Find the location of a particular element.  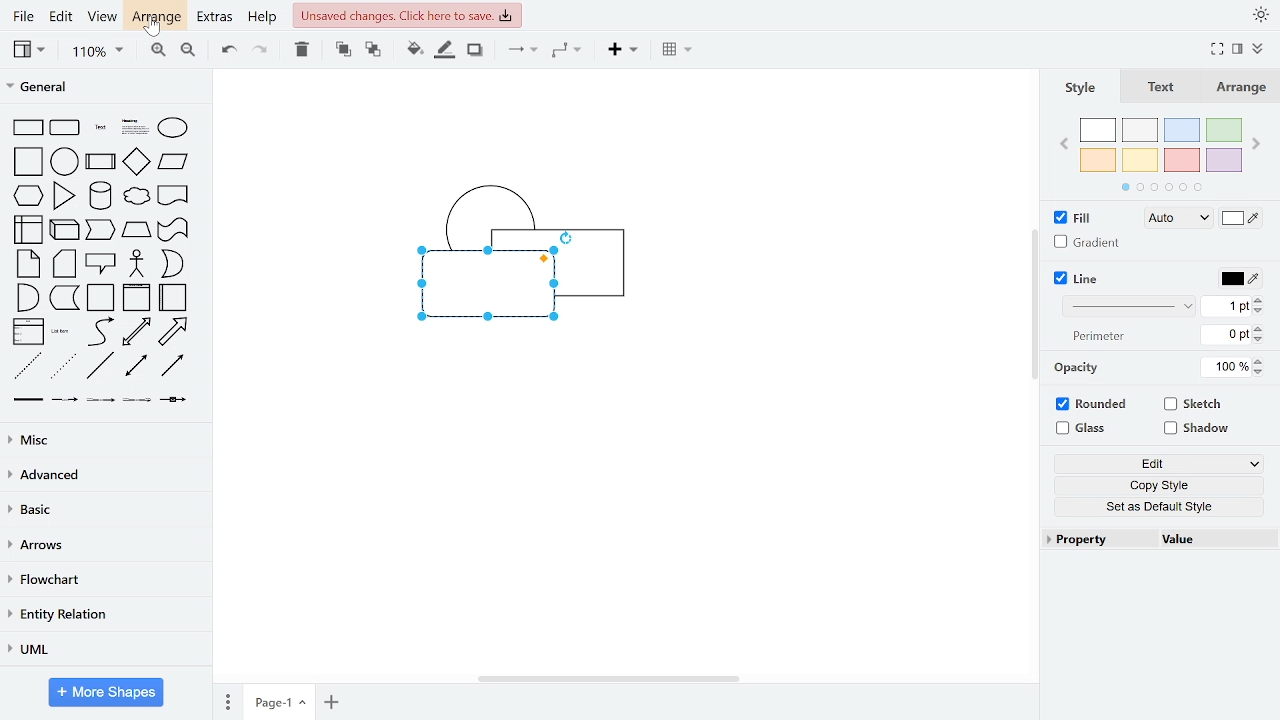

fill is located at coordinates (1075, 218).